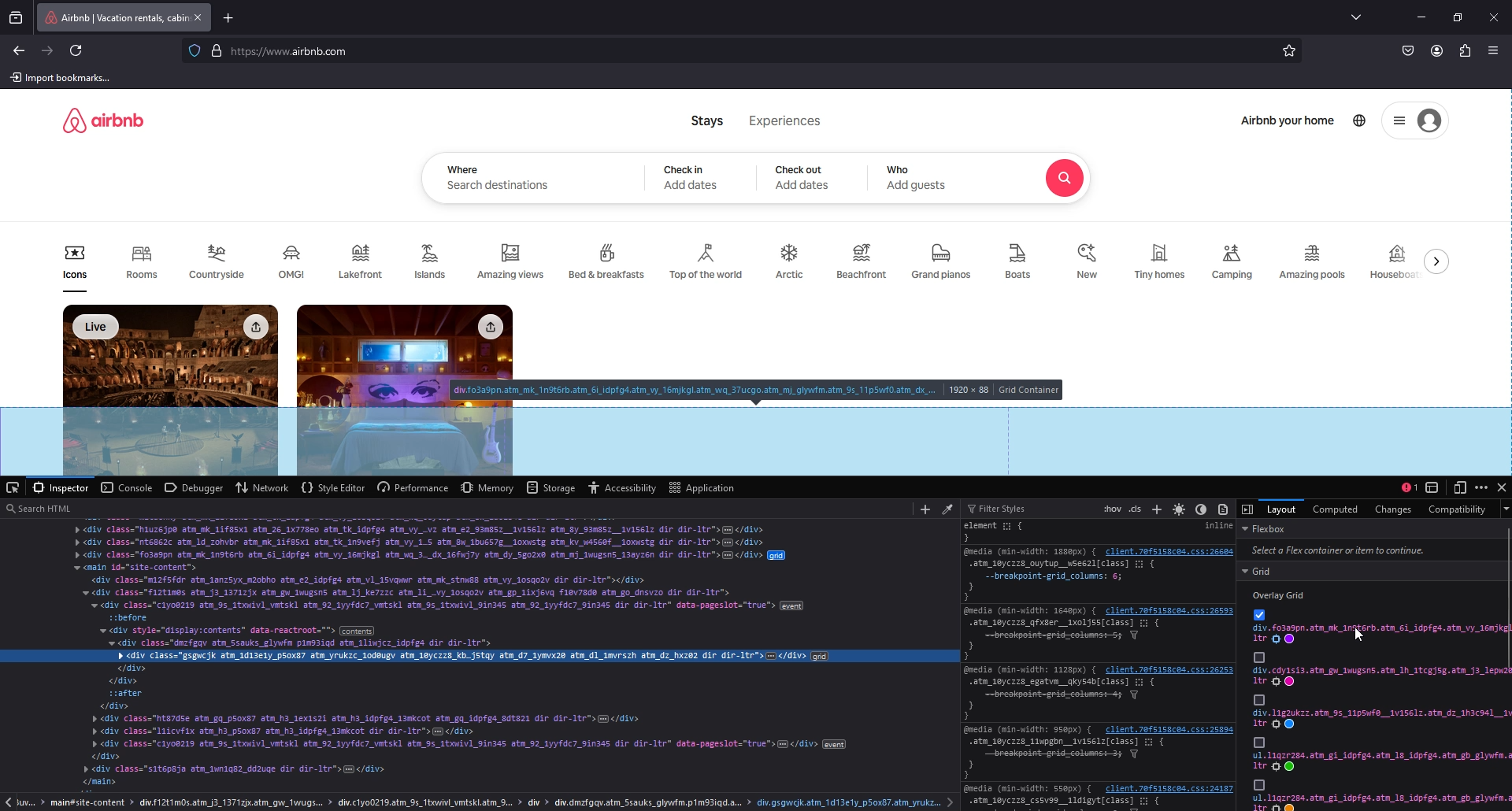  I want to click on Amazing views, so click(513, 262).